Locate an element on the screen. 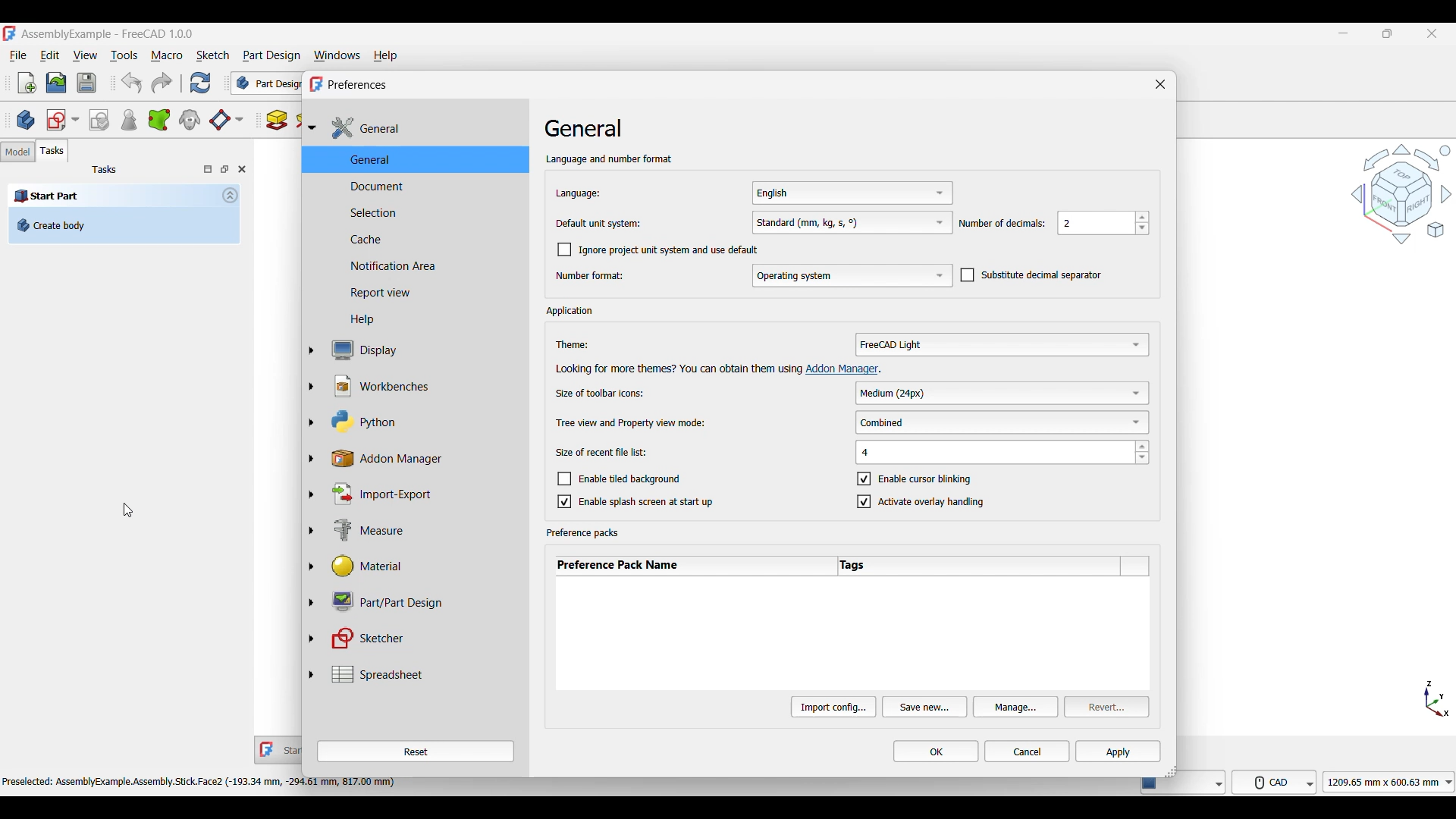 The width and height of the screenshot is (1456, 819). Tags is located at coordinates (980, 566).